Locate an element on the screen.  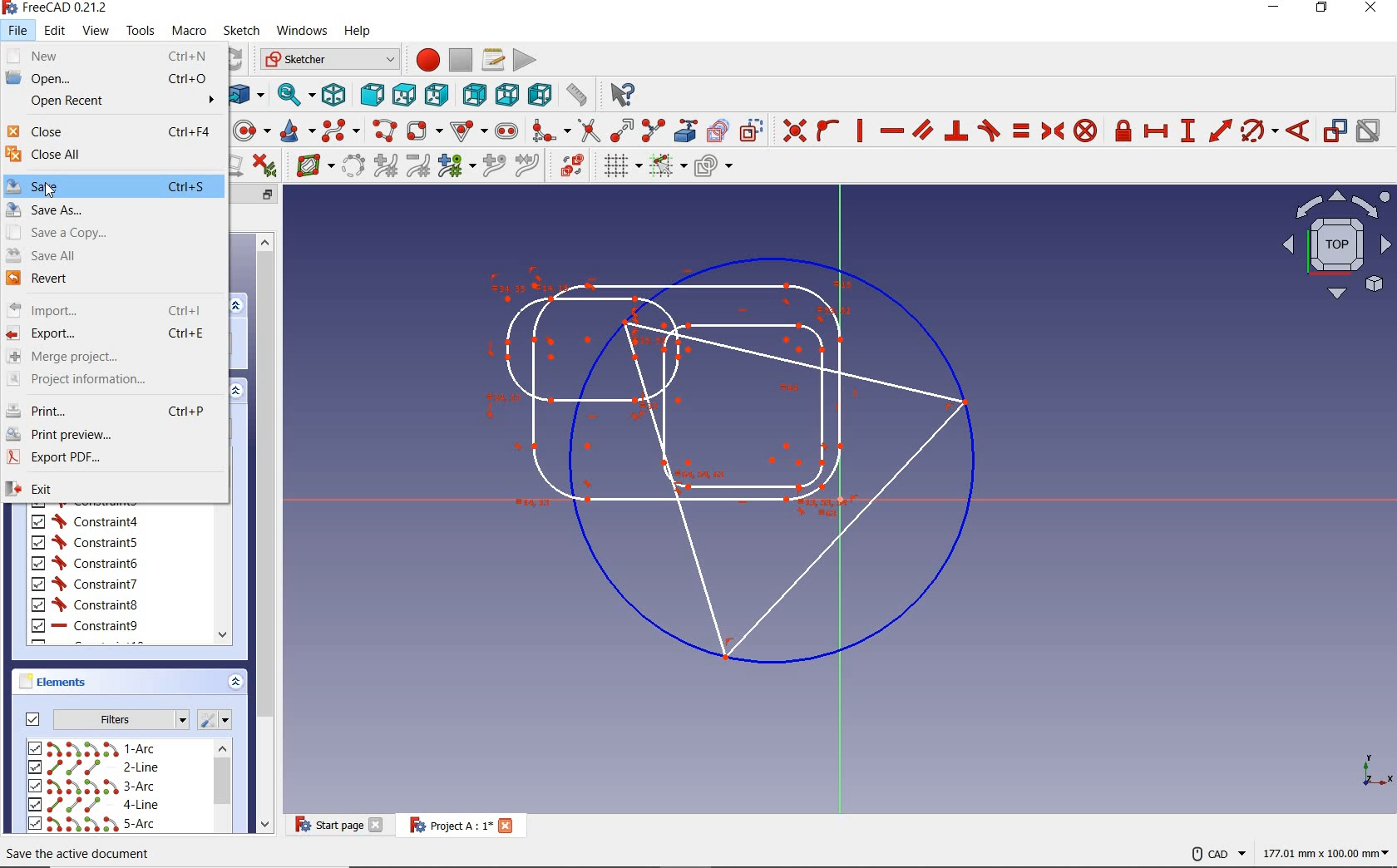
convert geometry  to B-spline is located at coordinates (353, 165).